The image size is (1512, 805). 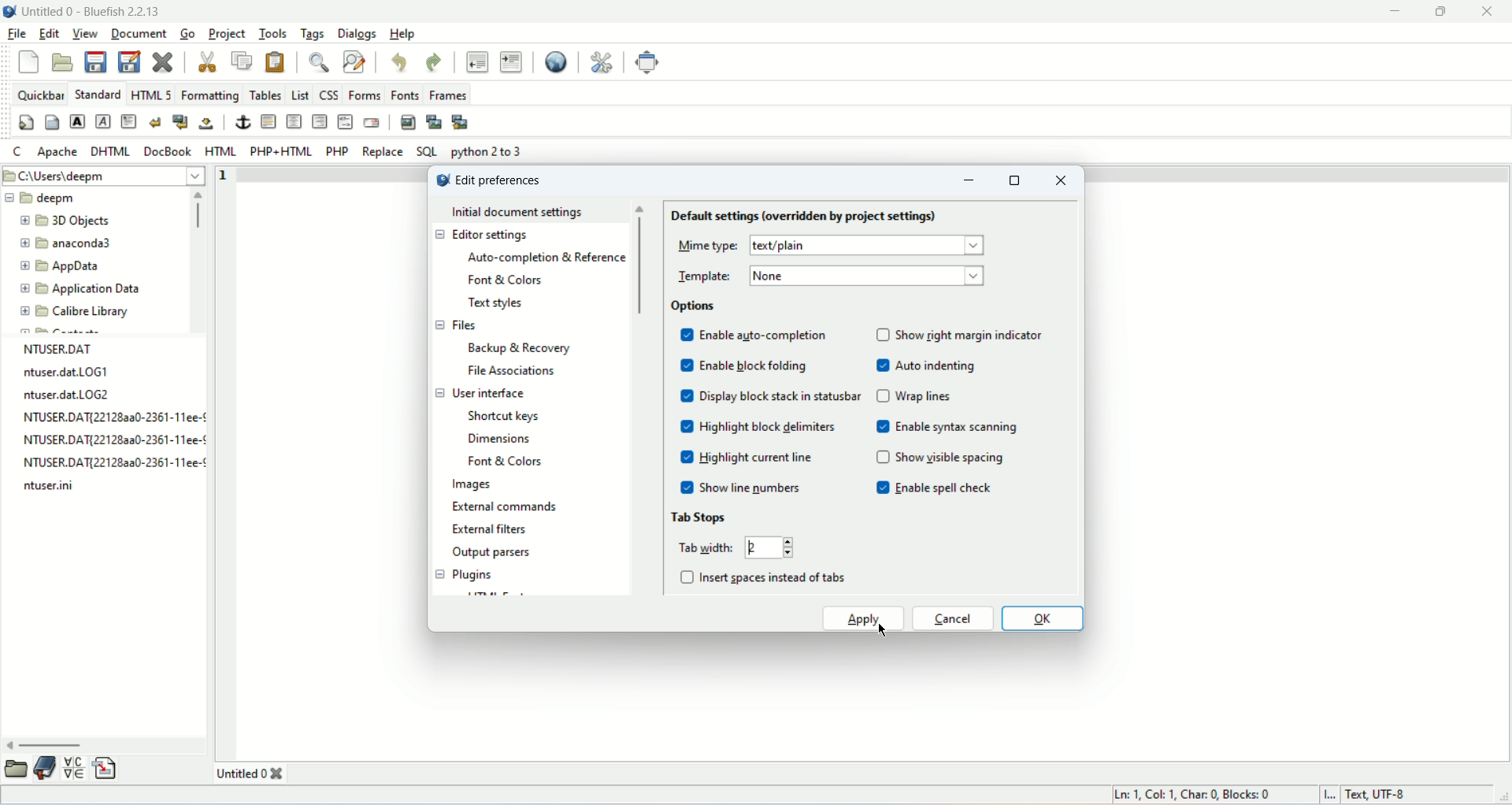 I want to click on close, so click(x=1483, y=12).